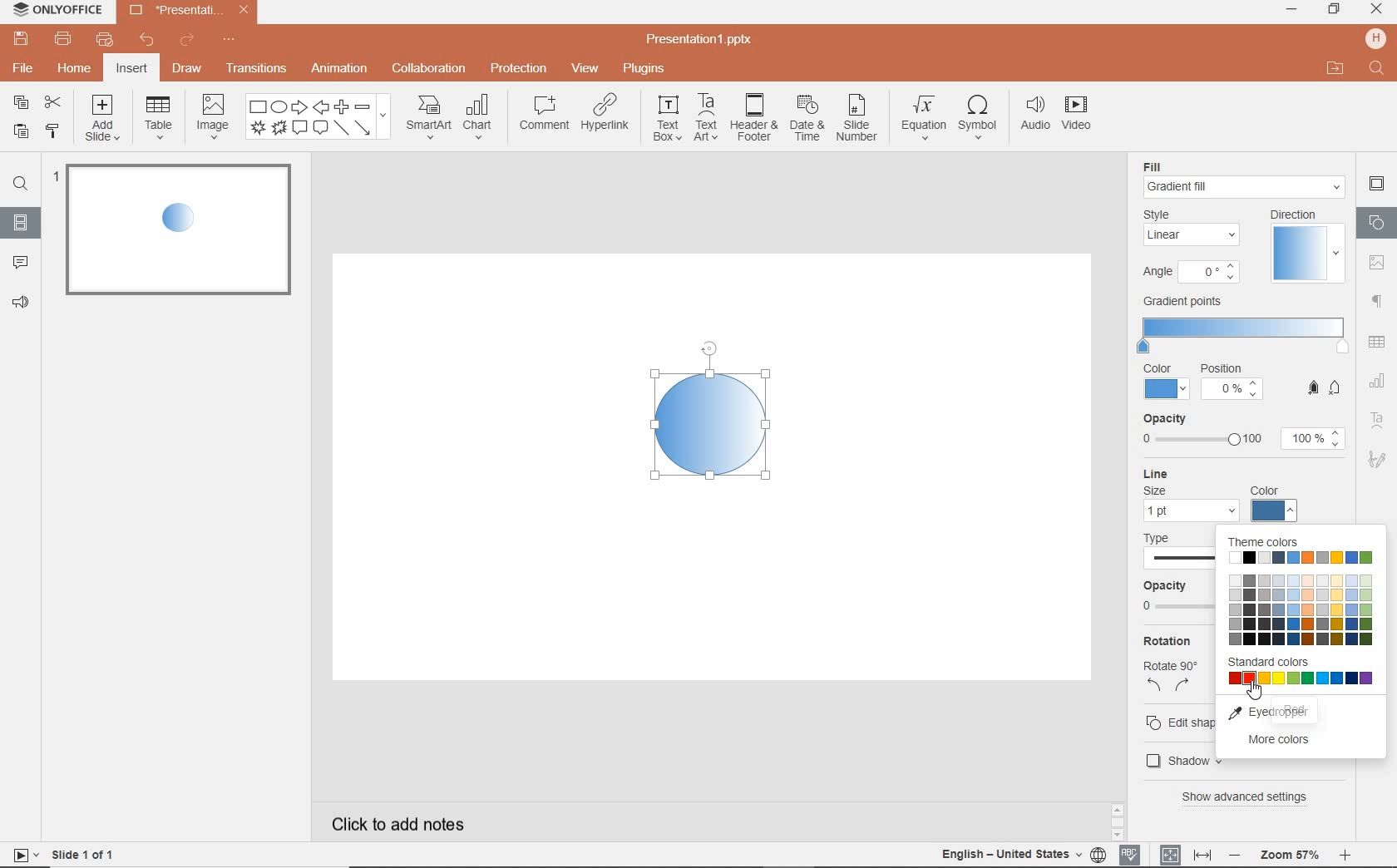  What do you see at coordinates (23, 104) in the screenshot?
I see `copy` at bounding box center [23, 104].